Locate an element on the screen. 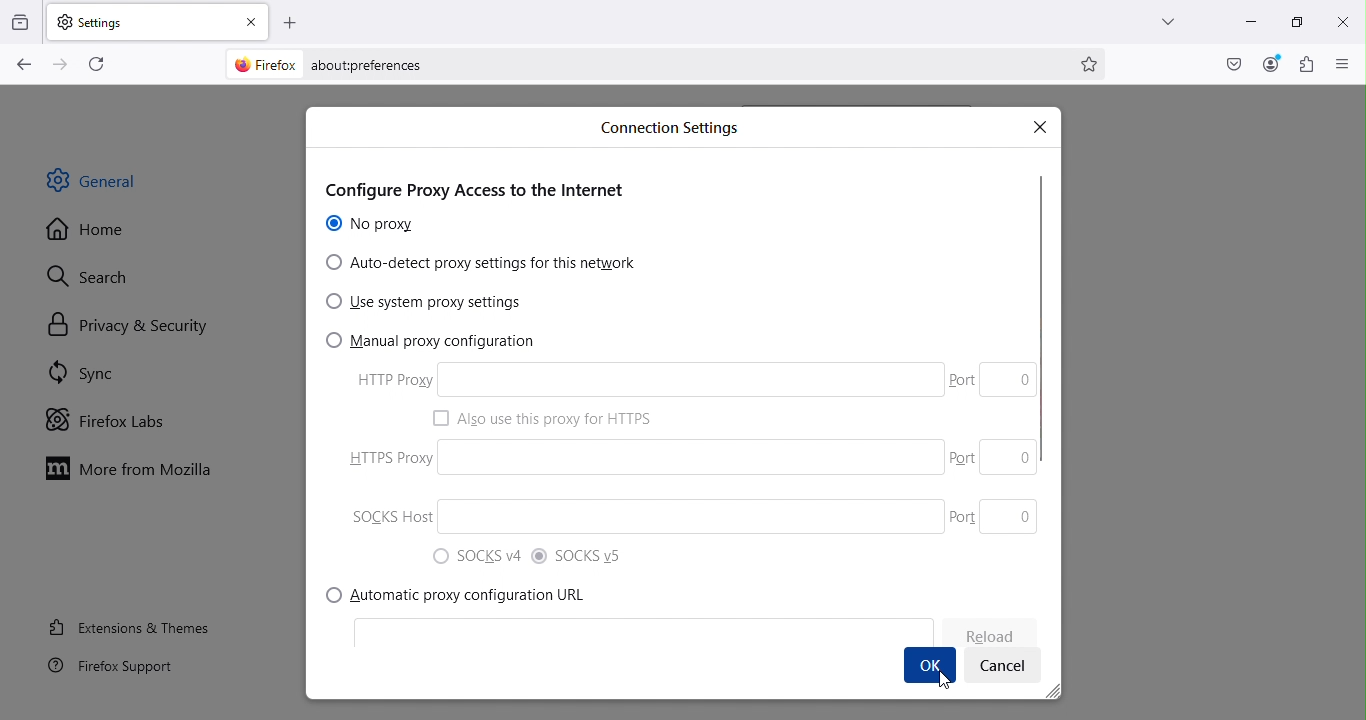  Also use this proxy HTTPS is located at coordinates (556, 417).